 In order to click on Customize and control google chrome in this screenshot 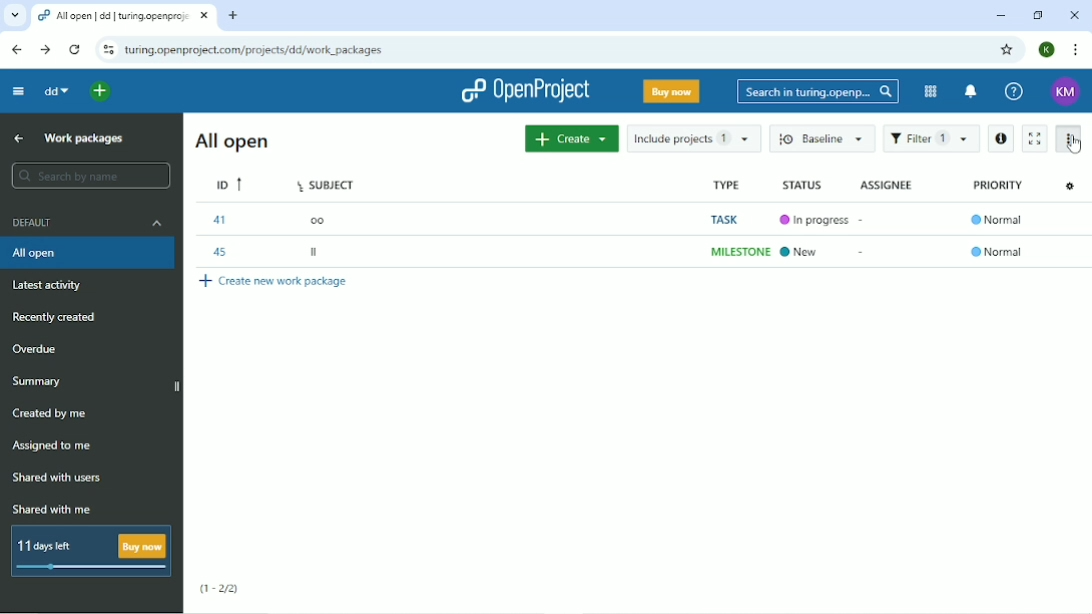, I will do `click(1074, 49)`.